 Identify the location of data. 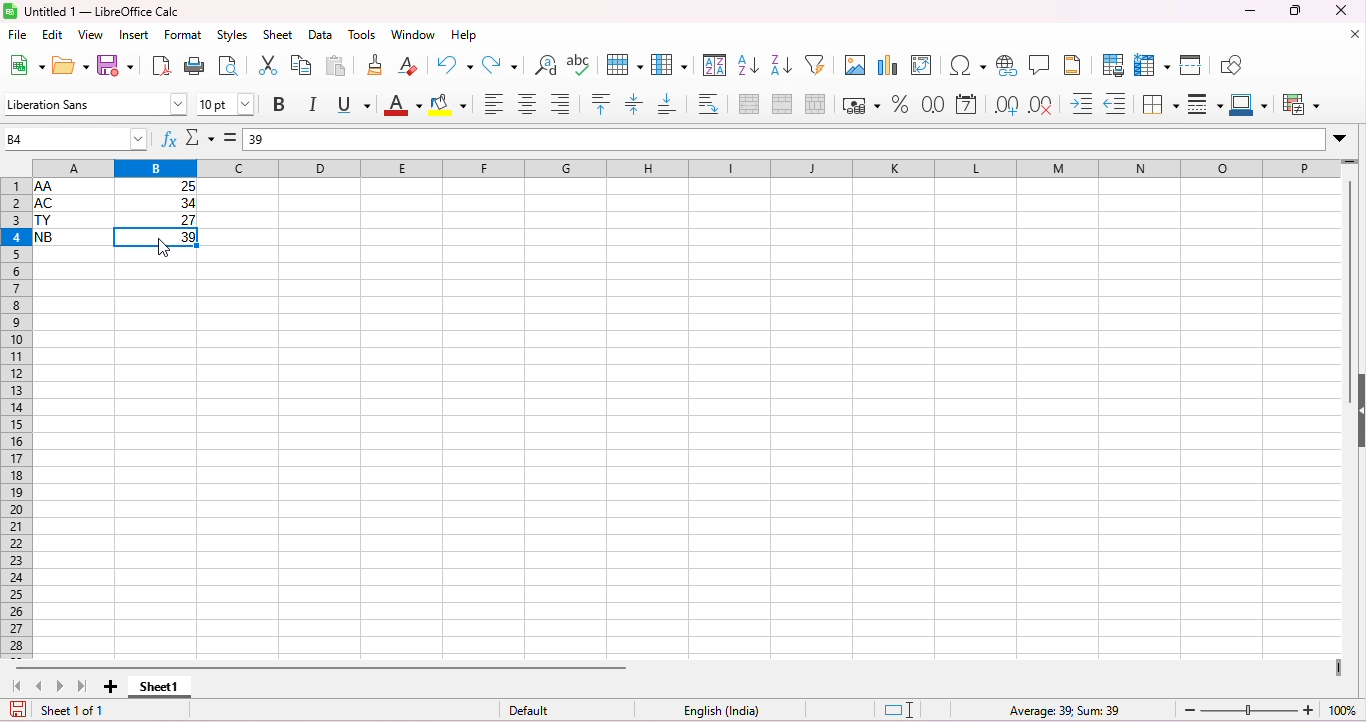
(320, 36).